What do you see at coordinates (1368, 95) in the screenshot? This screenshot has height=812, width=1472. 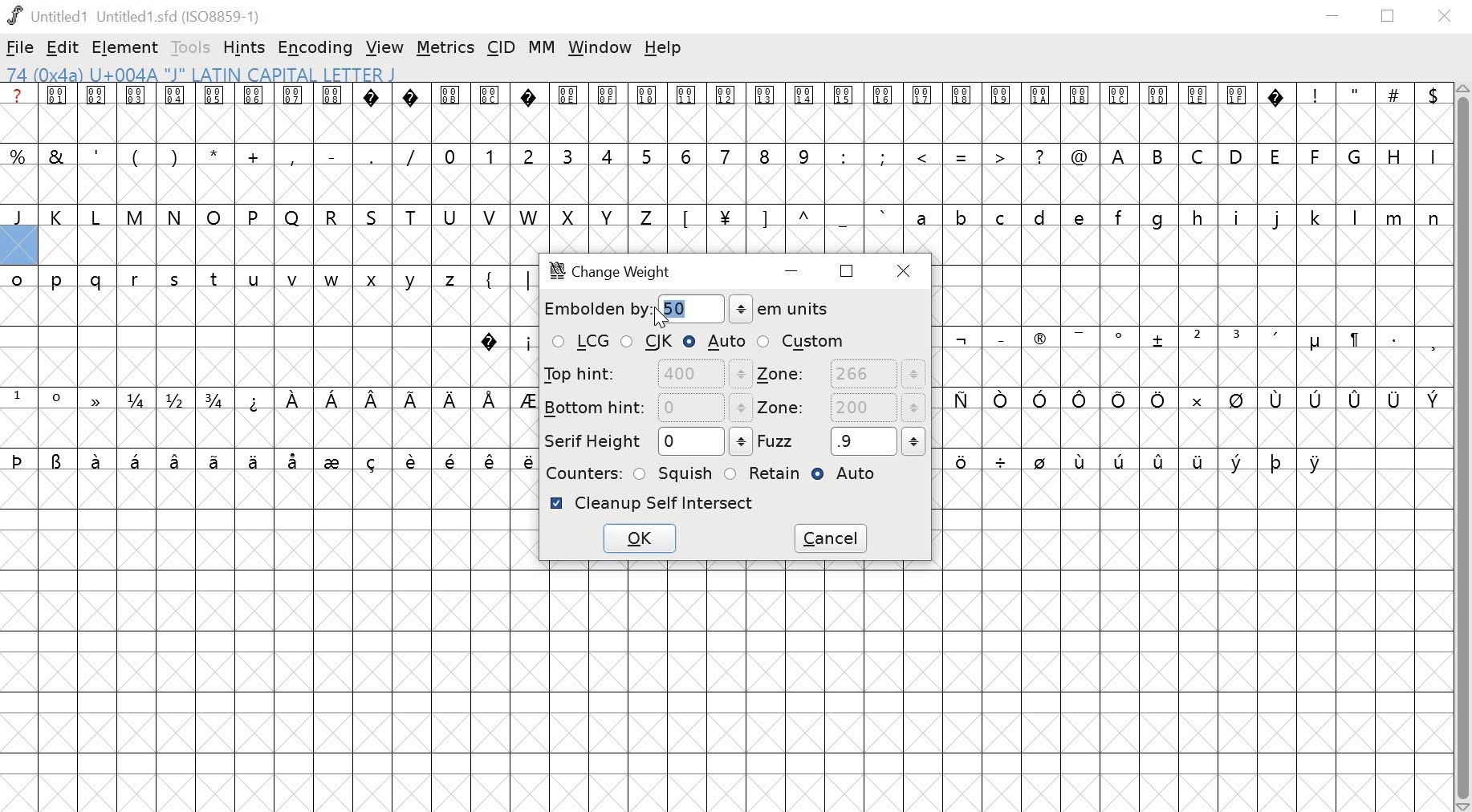 I see `special characters` at bounding box center [1368, 95].